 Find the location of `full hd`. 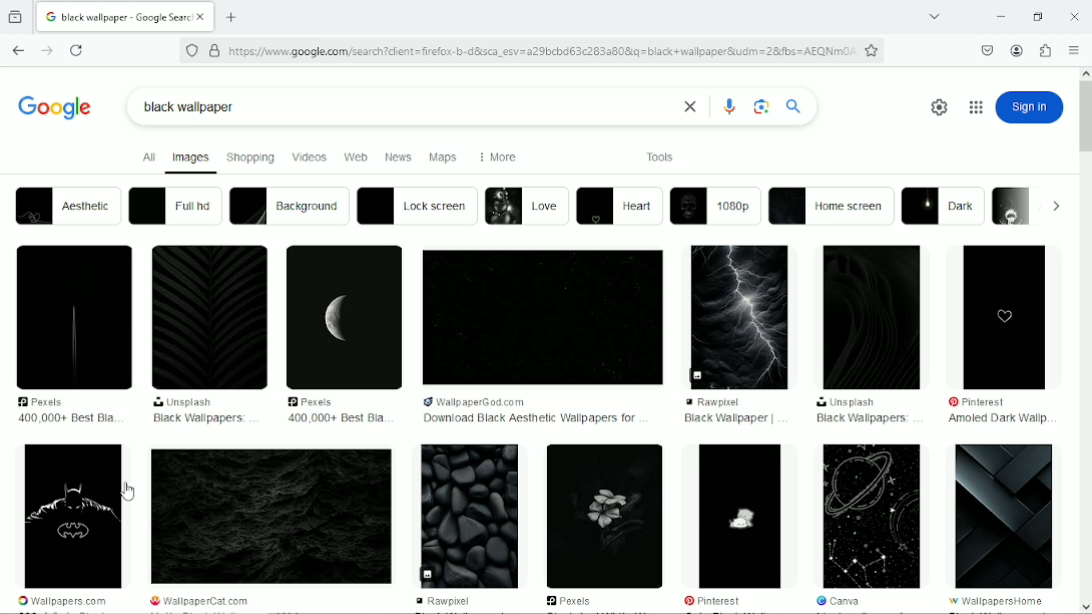

full hd is located at coordinates (174, 205).